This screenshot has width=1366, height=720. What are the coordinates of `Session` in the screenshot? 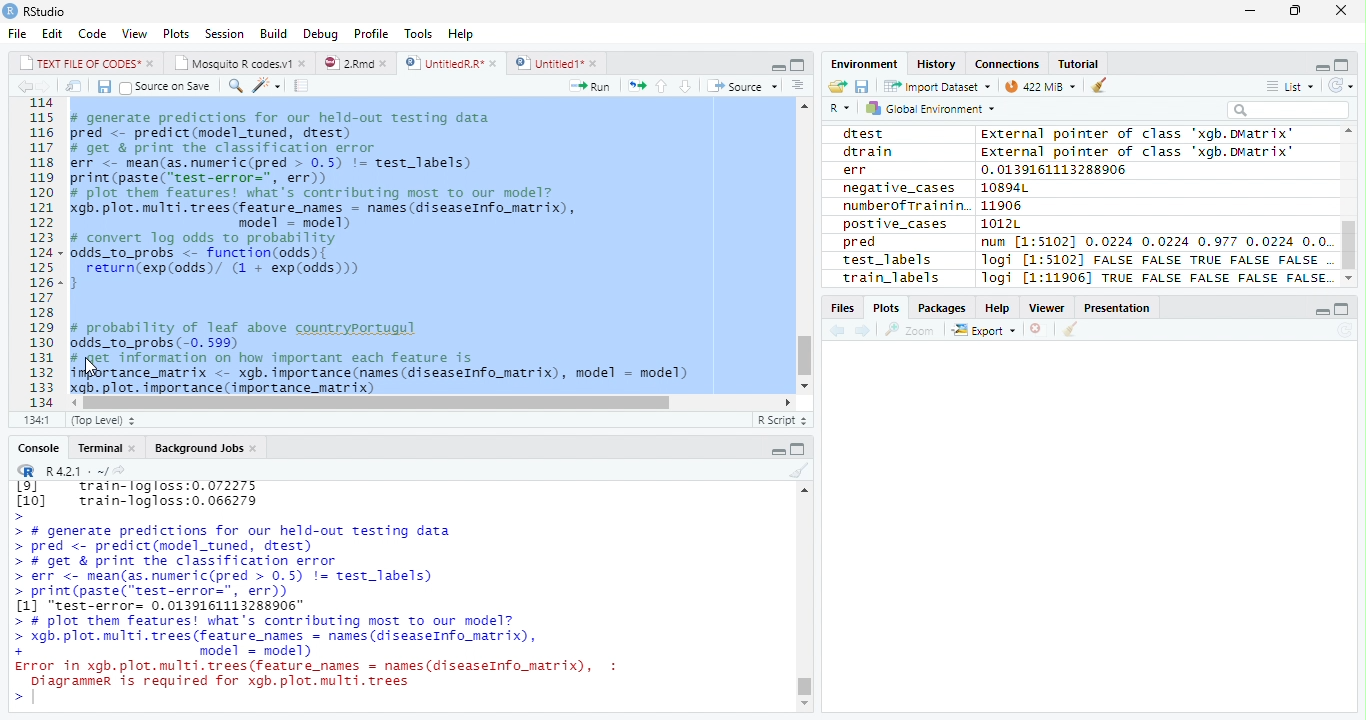 It's located at (225, 33).